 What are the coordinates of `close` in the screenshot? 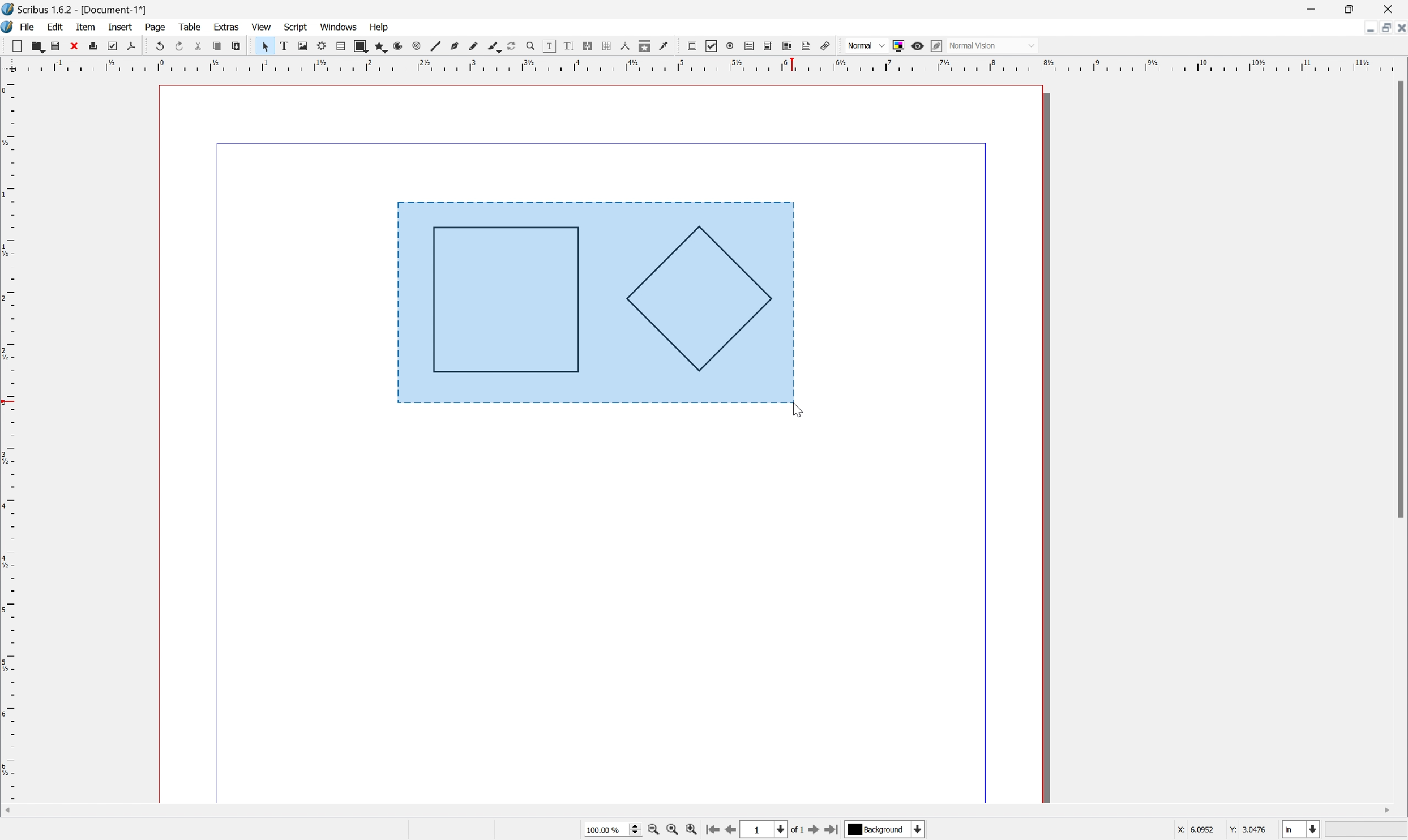 It's located at (71, 47).